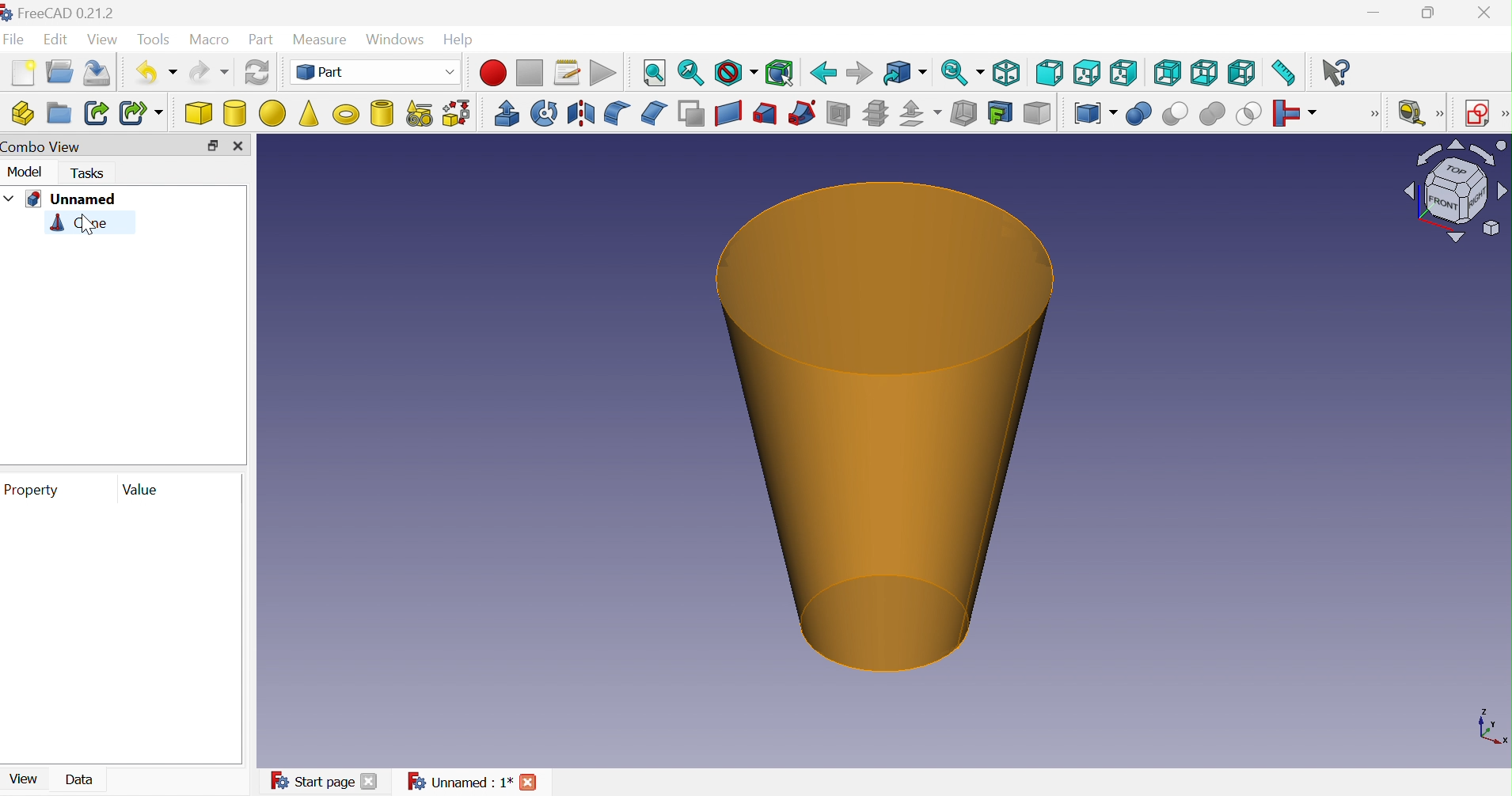 Image resolution: width=1512 pixels, height=796 pixels. What do you see at coordinates (691, 113) in the screenshot?
I see `Make face from wires` at bounding box center [691, 113].